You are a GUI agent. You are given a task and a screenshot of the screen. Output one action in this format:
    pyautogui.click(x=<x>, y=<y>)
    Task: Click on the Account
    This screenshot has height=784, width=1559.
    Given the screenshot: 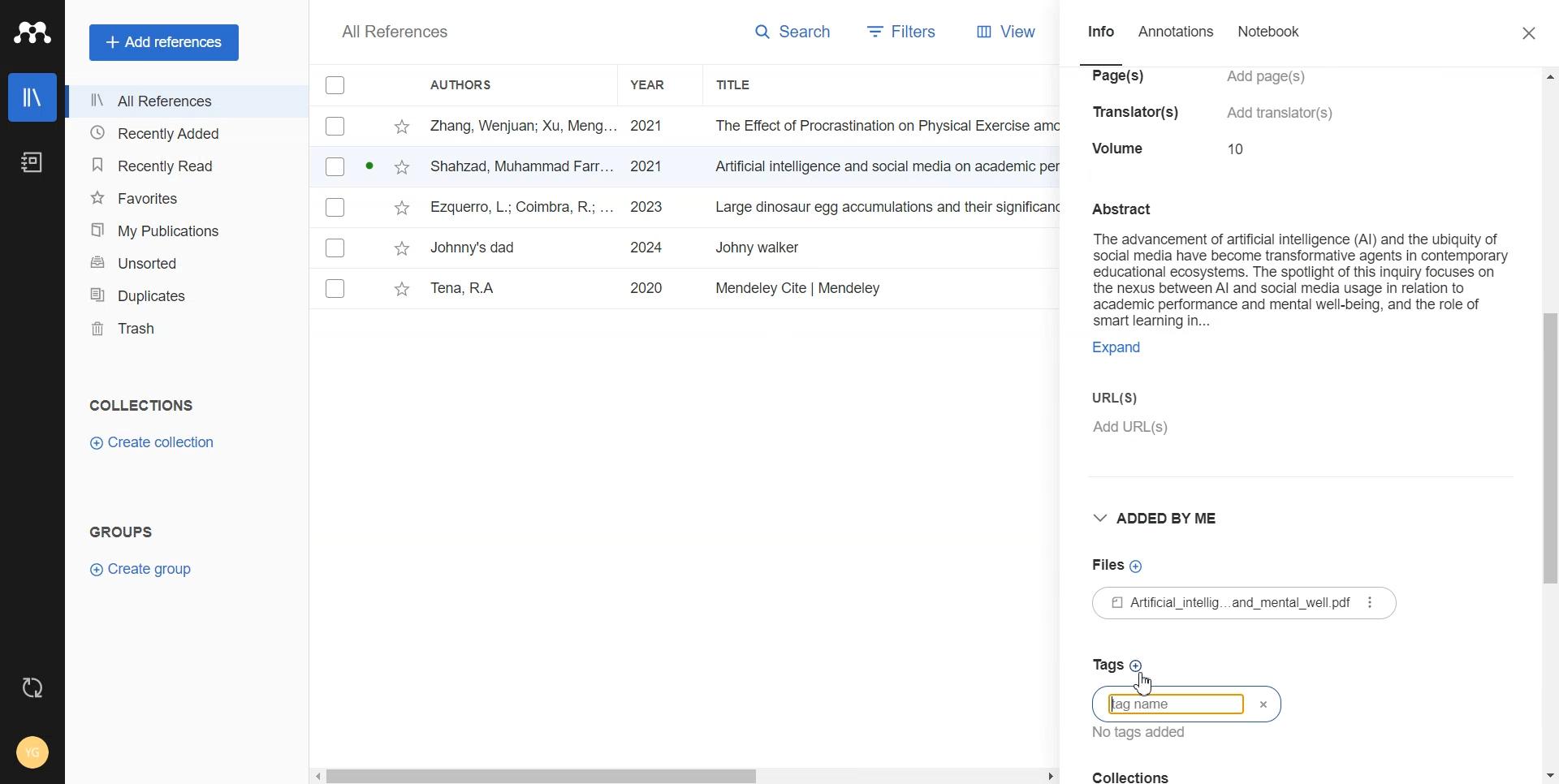 What is the action you would take?
    pyautogui.click(x=32, y=754)
    